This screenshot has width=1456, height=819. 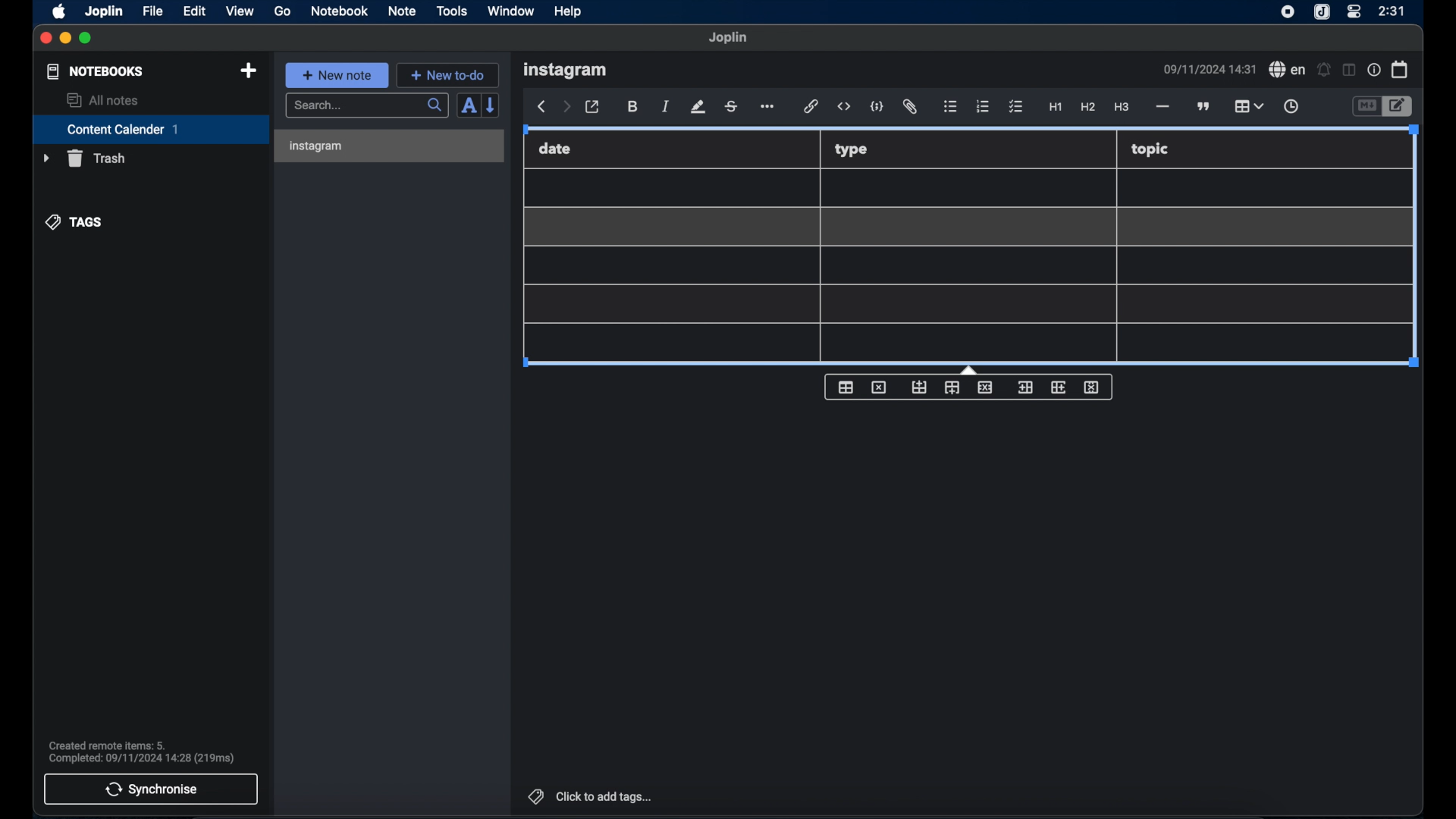 I want to click on date, so click(x=556, y=149).